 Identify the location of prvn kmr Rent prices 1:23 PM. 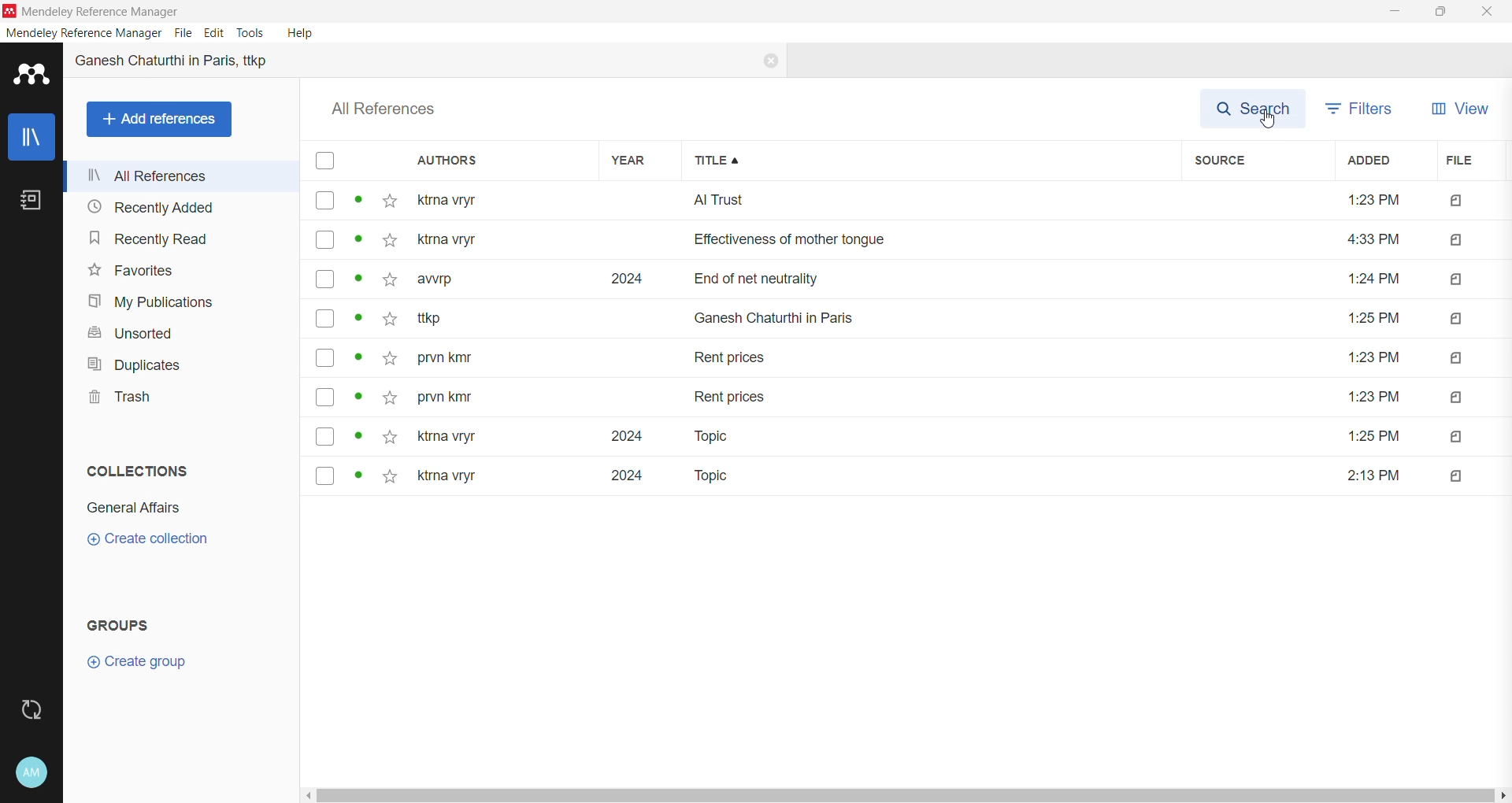
(910, 361).